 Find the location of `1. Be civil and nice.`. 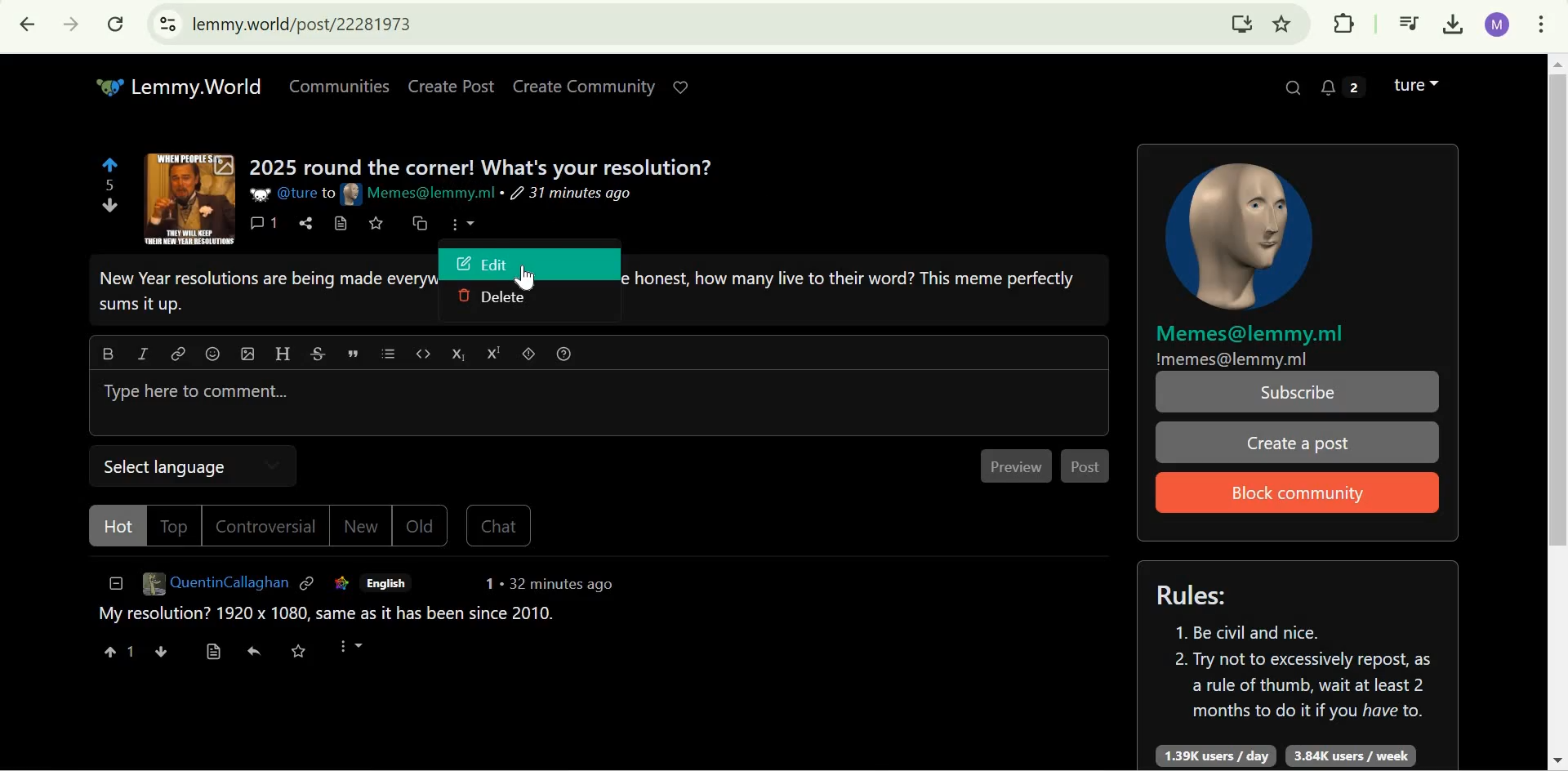

1. Be civil and nice. is located at coordinates (1258, 633).